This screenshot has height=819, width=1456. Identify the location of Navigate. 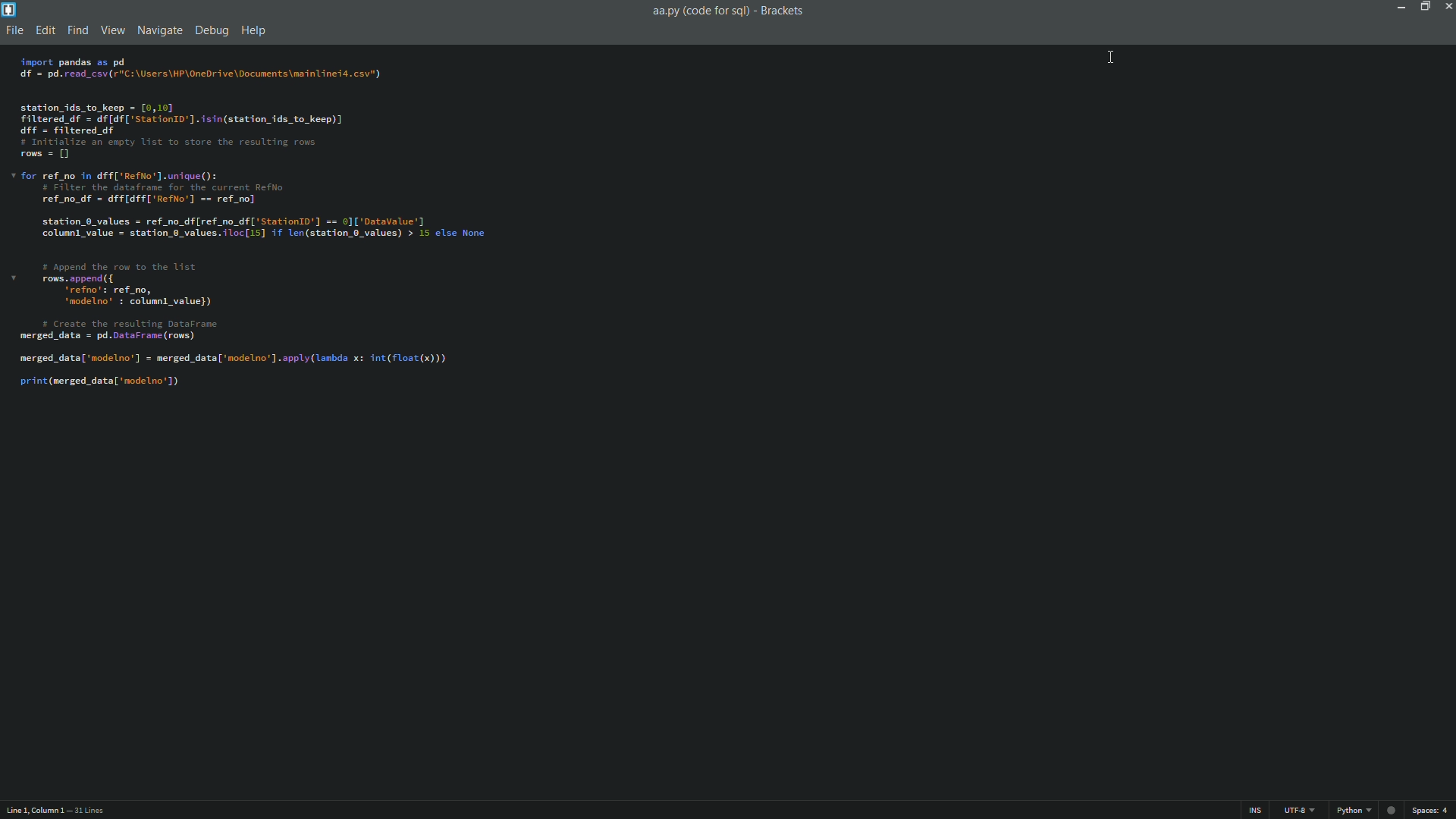
(158, 31).